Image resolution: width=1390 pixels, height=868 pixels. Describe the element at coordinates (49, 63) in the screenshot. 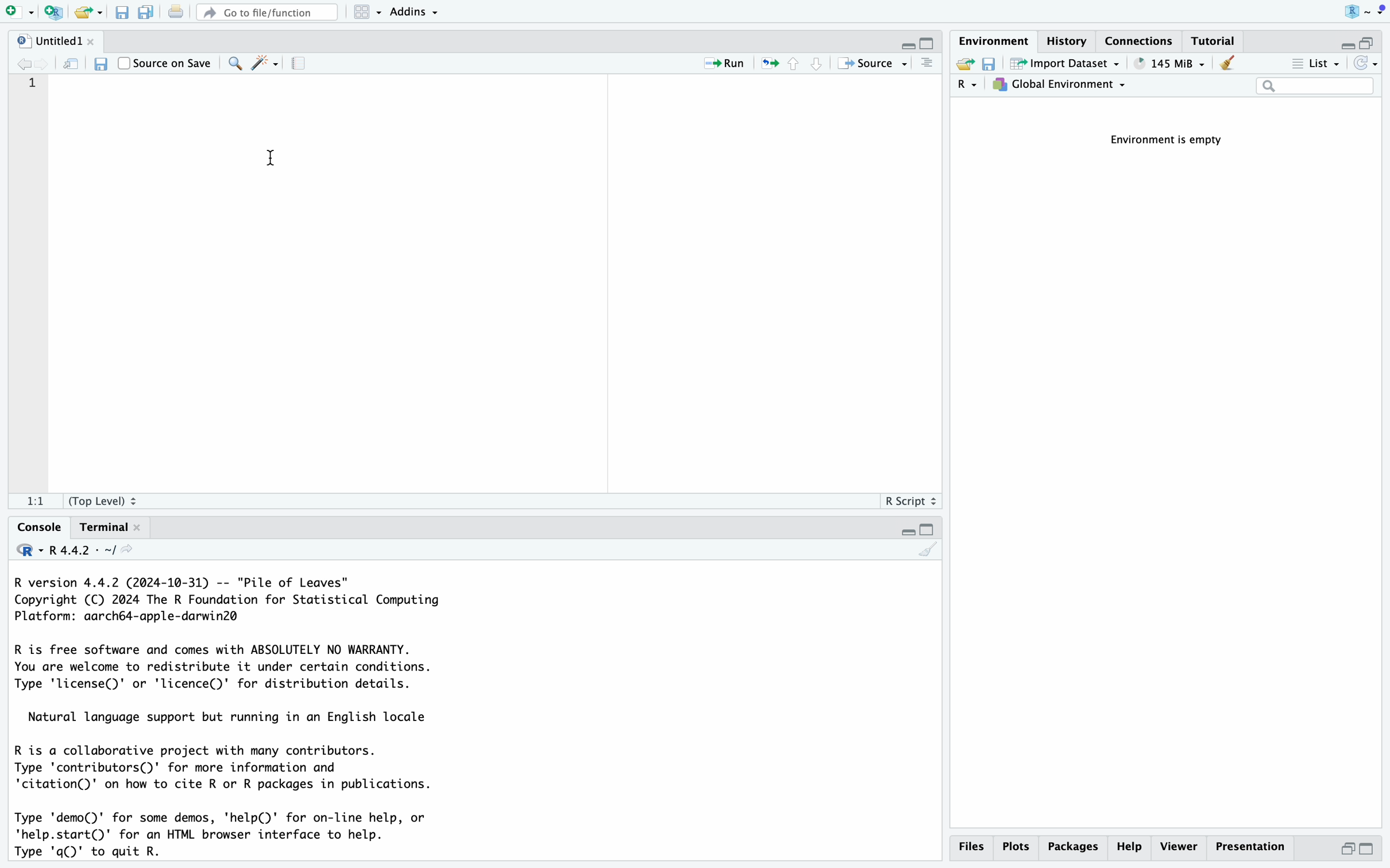

I see `go forward to the next source location` at that location.